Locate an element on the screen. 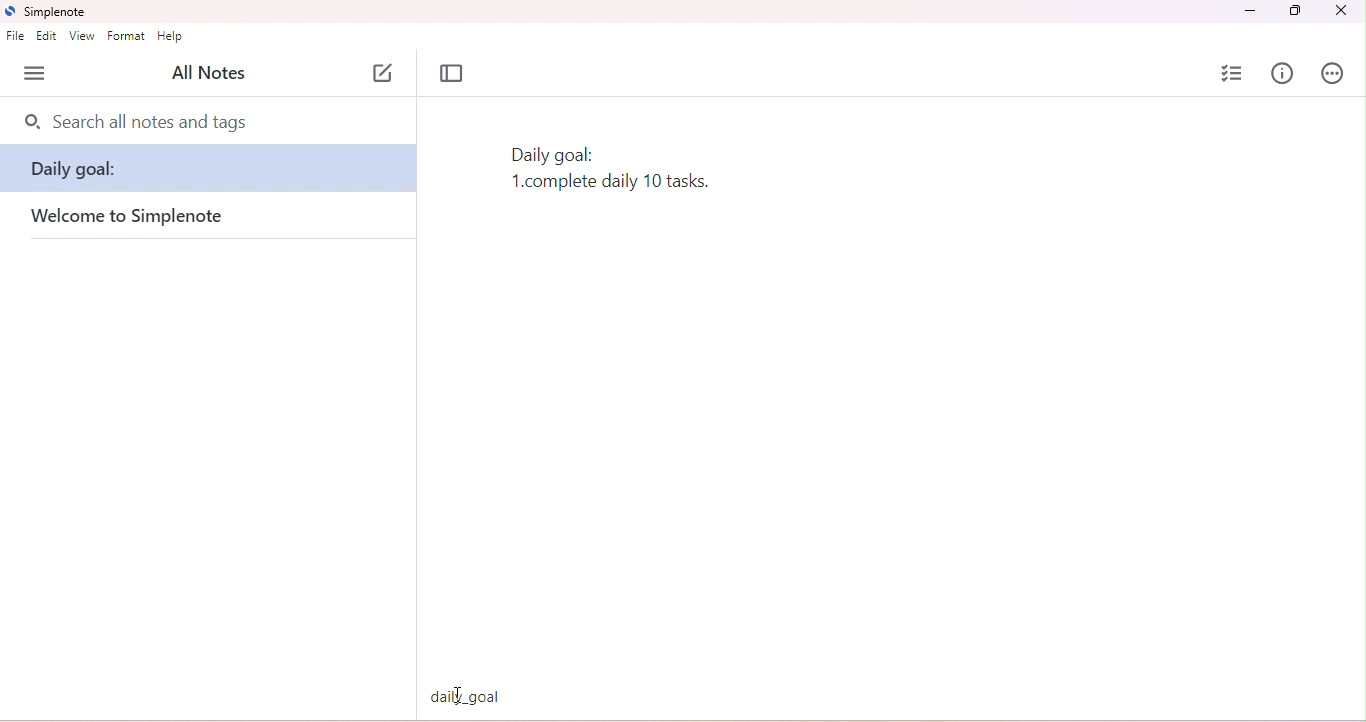 This screenshot has height=722, width=1366. info is located at coordinates (1281, 73).